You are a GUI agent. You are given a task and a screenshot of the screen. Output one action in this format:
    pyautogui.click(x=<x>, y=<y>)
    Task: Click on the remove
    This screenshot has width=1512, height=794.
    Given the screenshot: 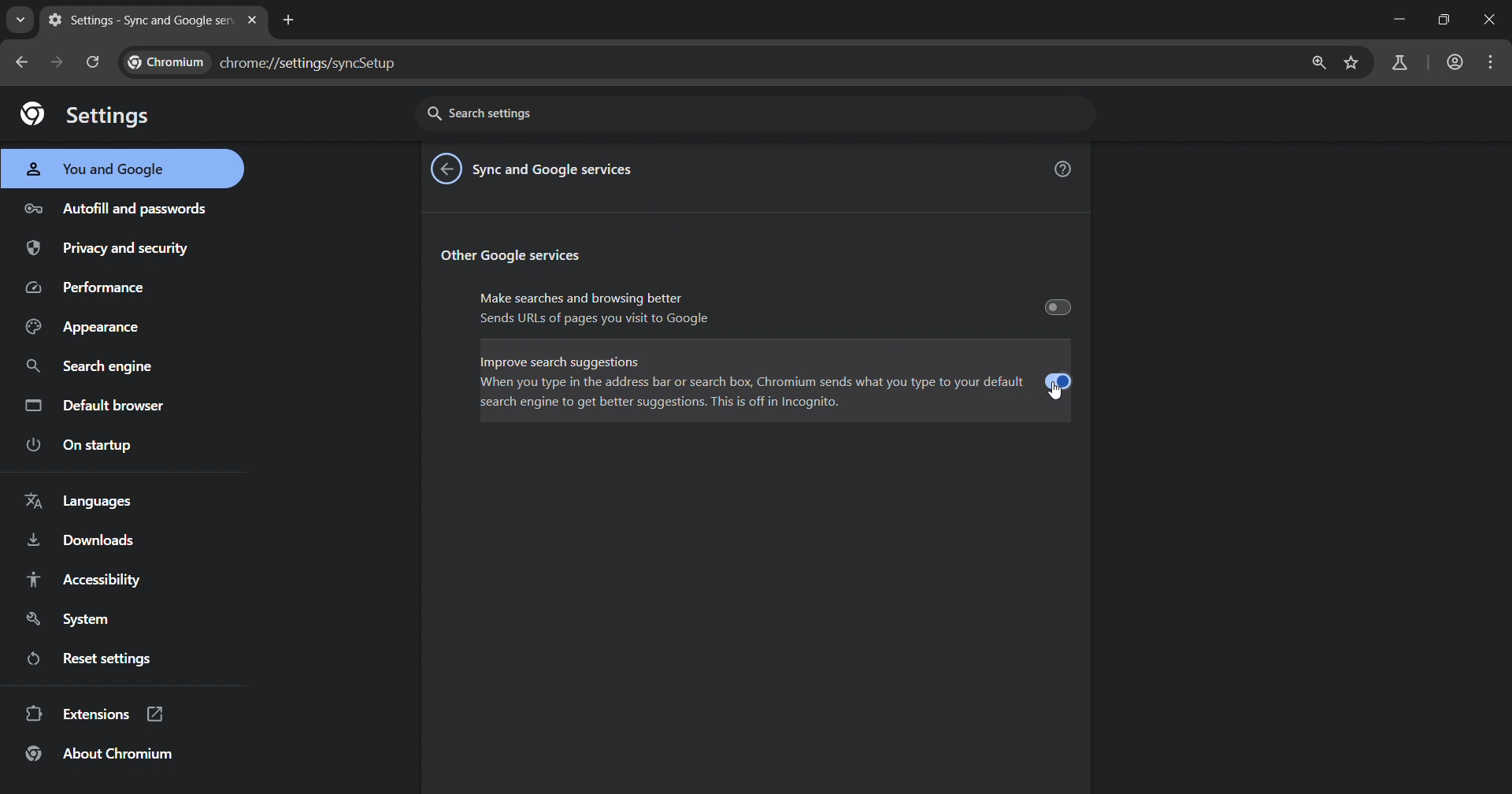 What is the action you would take?
    pyautogui.click(x=1492, y=21)
    